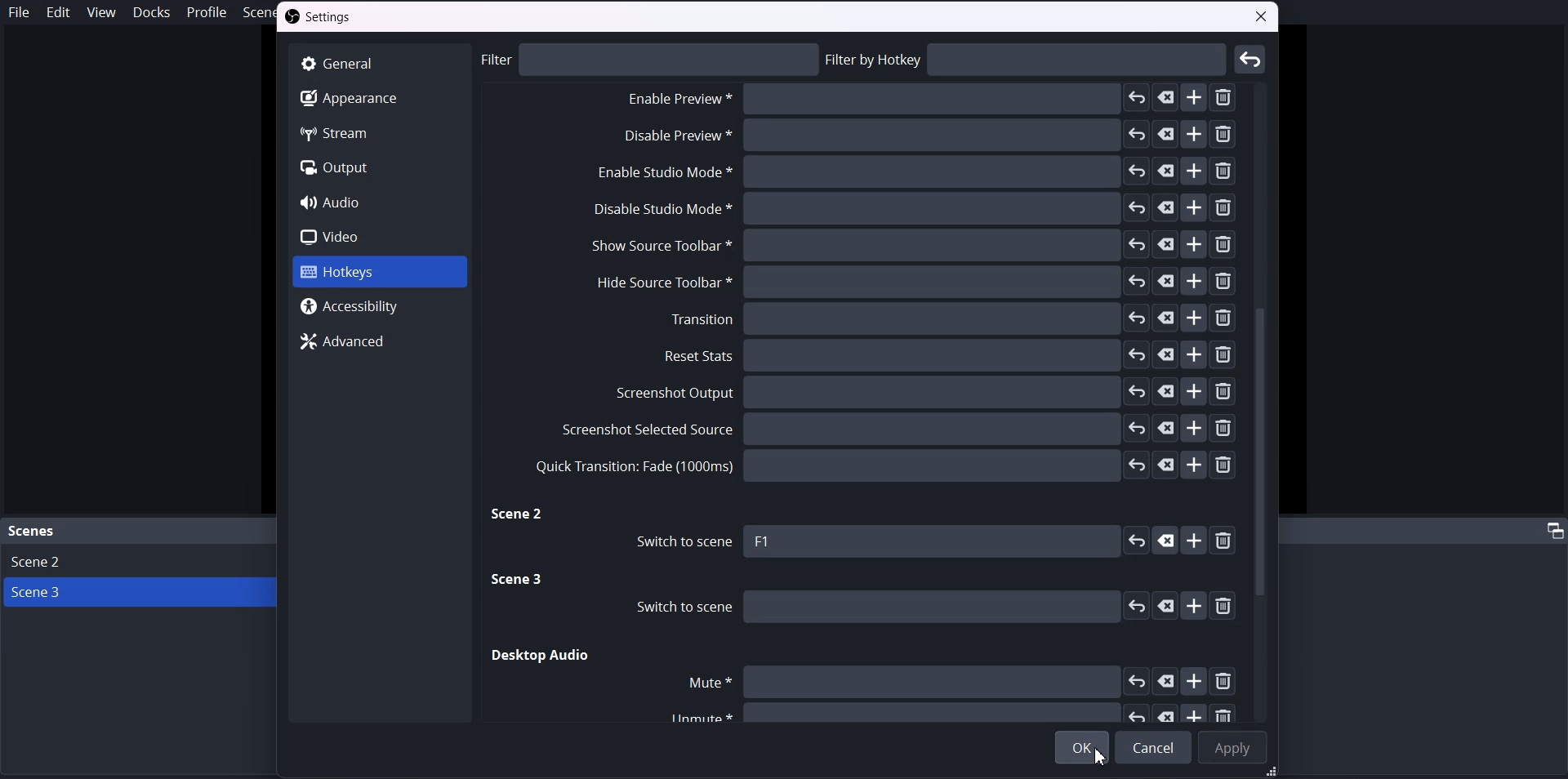 This screenshot has height=779, width=1568. What do you see at coordinates (883, 465) in the screenshot?
I see `Quick transition fade` at bounding box center [883, 465].